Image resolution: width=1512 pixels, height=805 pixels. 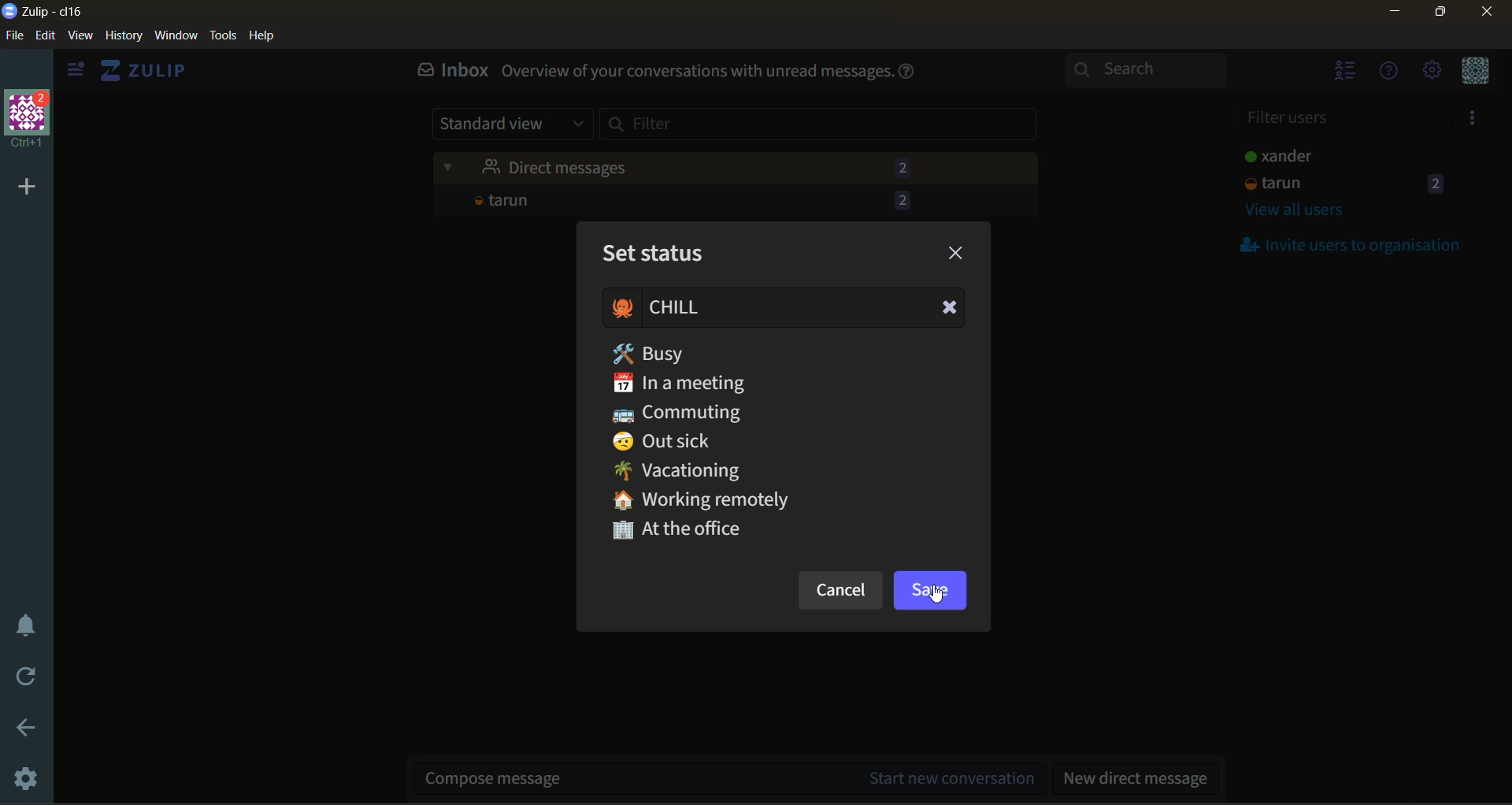 I want to click on Vacationing, so click(x=699, y=469).